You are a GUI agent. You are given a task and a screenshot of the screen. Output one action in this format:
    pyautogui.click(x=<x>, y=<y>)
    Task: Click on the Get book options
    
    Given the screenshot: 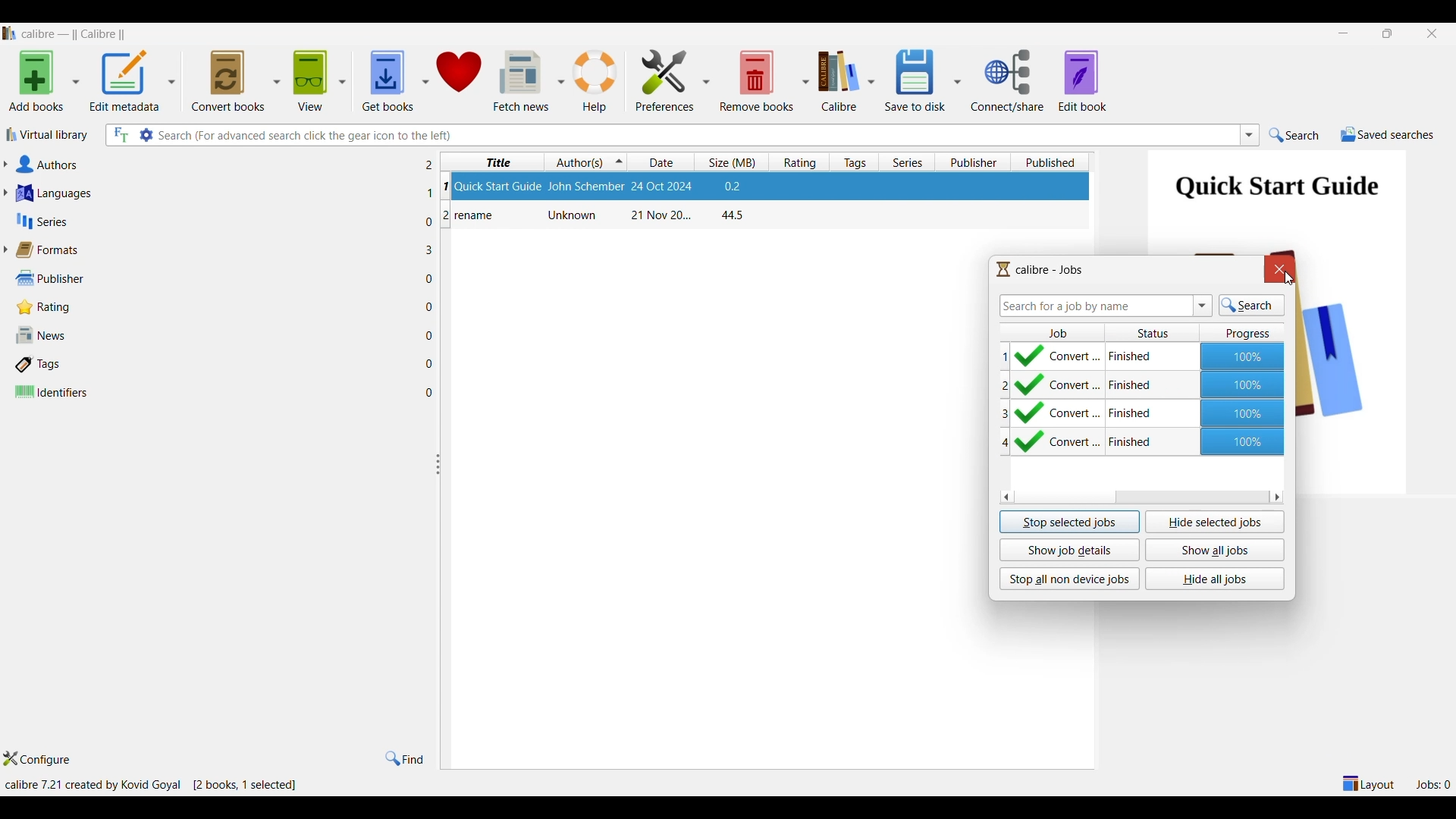 What is the action you would take?
    pyautogui.click(x=424, y=82)
    